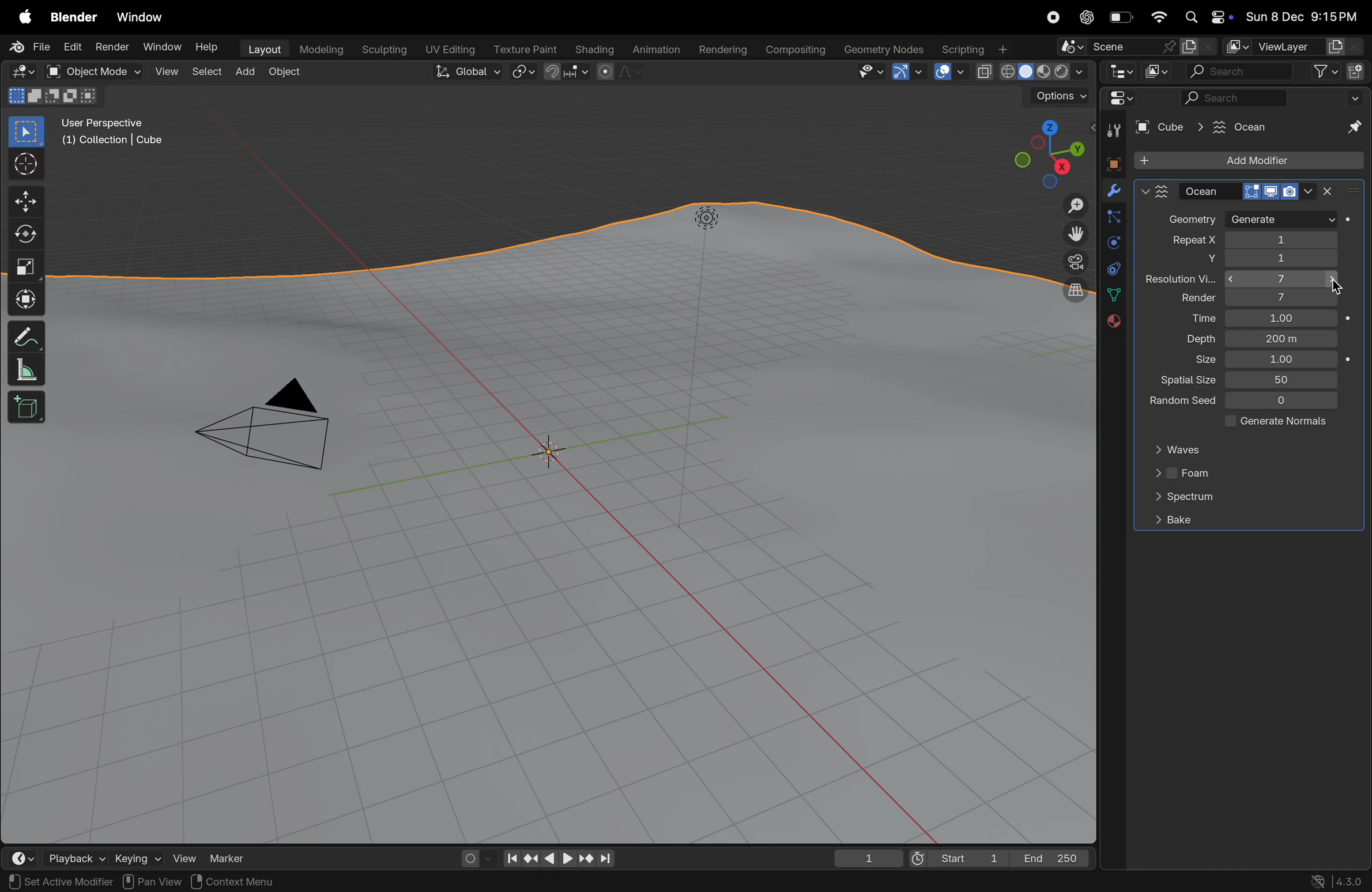  Describe the element at coordinates (721, 50) in the screenshot. I see `rendering` at that location.